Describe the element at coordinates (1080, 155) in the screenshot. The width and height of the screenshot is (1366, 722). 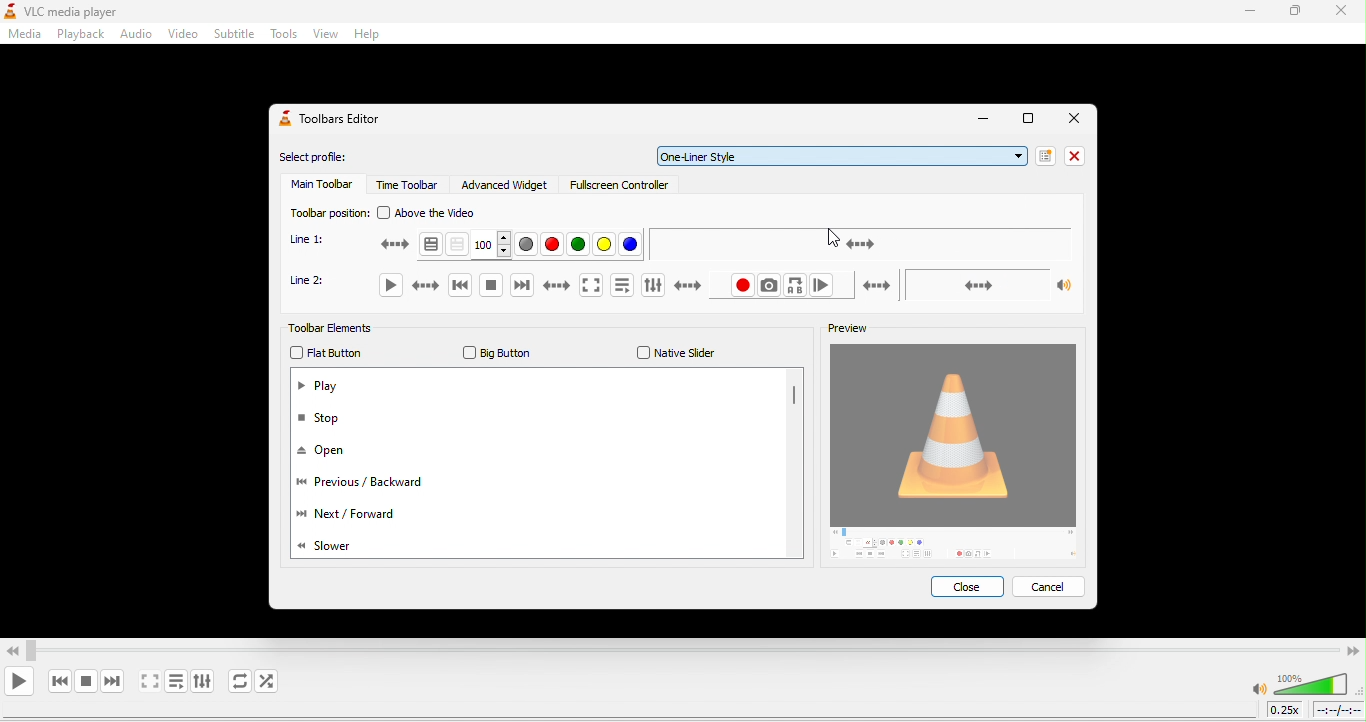
I see `close` at that location.